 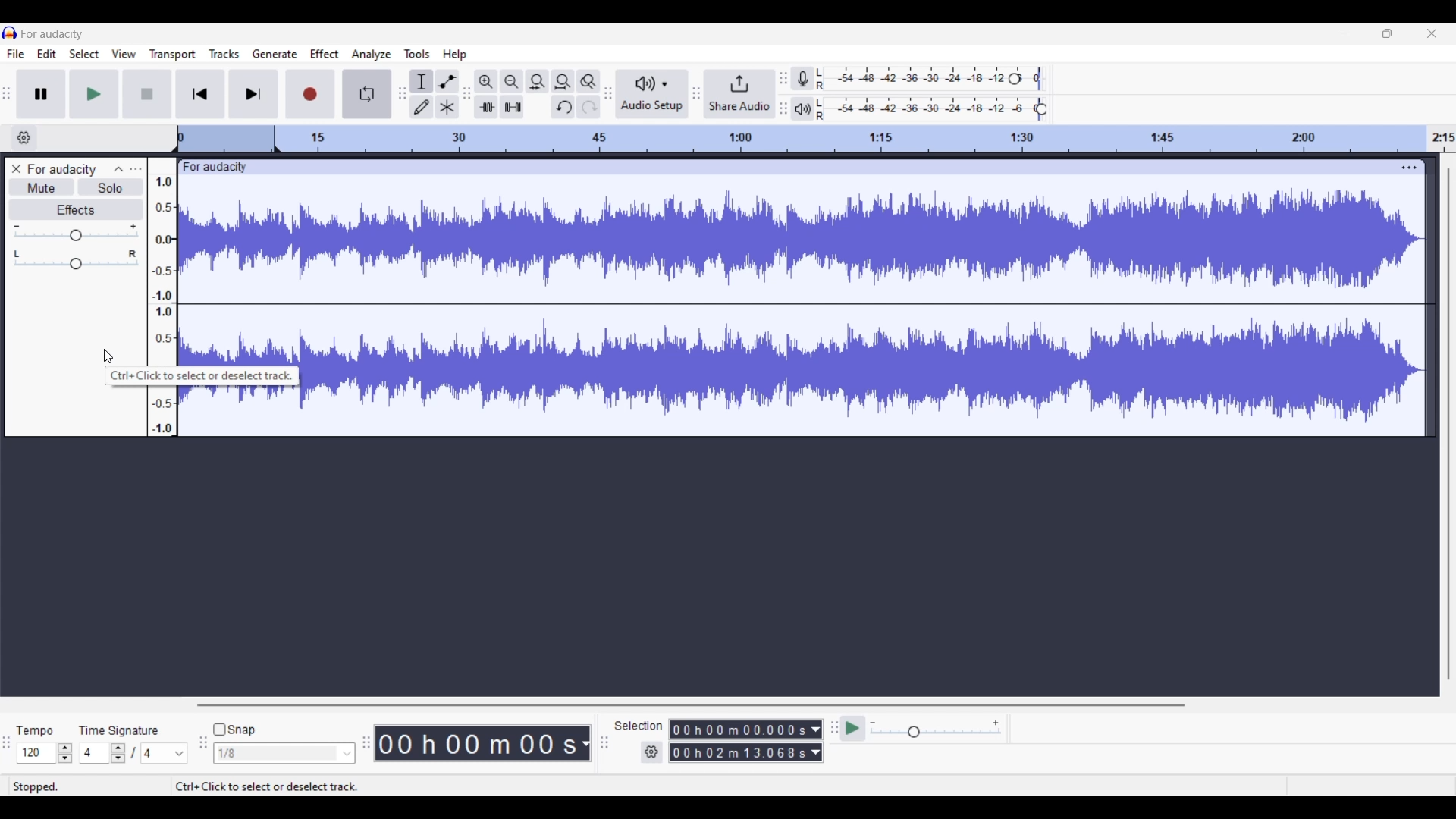 What do you see at coordinates (224, 54) in the screenshot?
I see `Tracks menu` at bounding box center [224, 54].